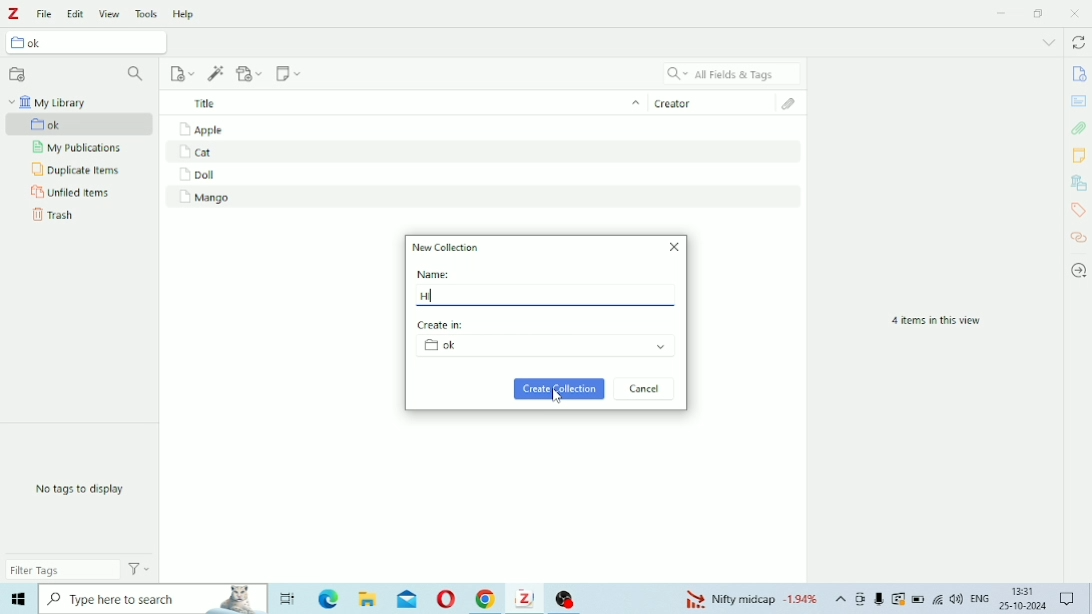  I want to click on ok, so click(87, 41).